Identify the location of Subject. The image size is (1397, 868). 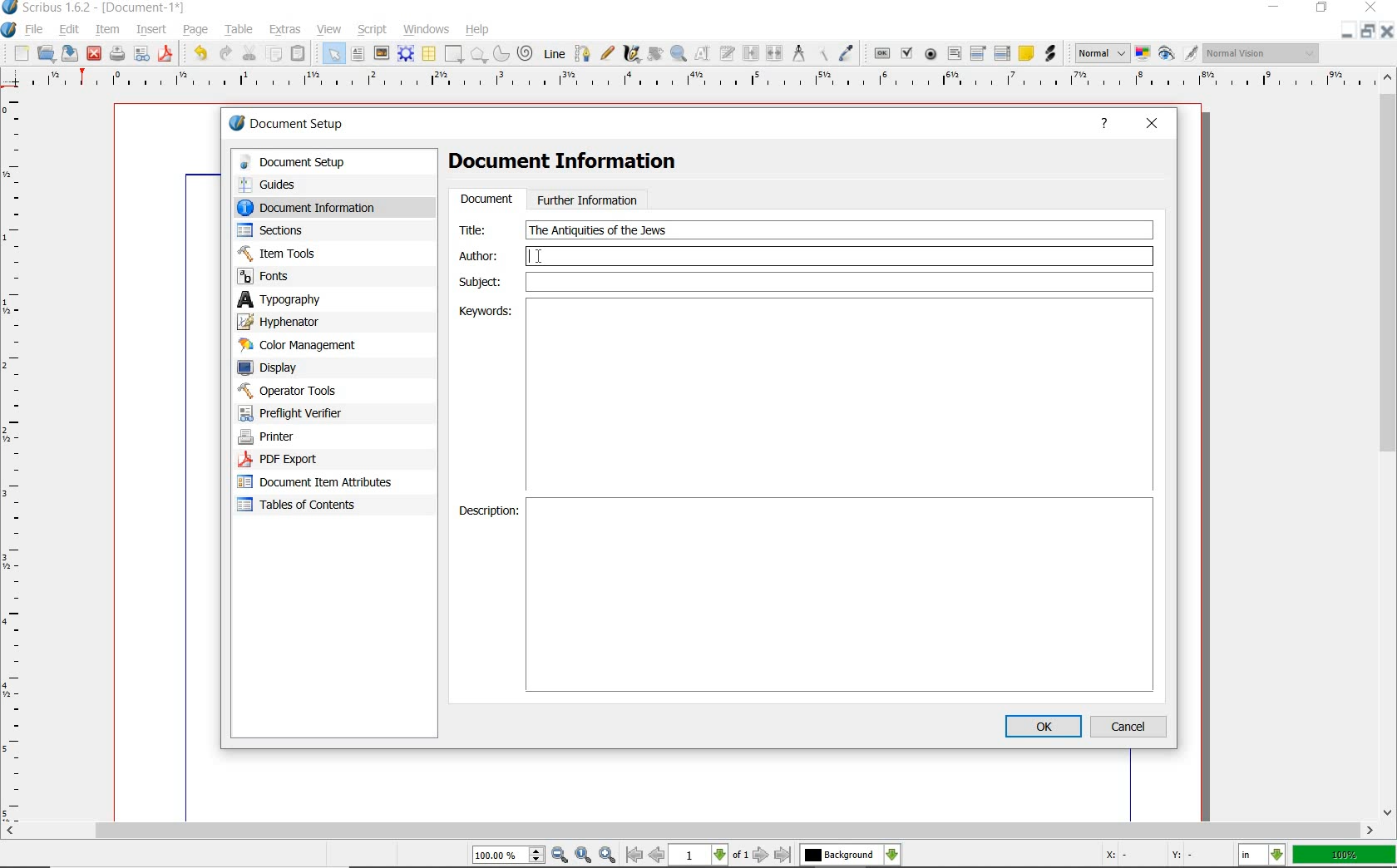
(806, 283).